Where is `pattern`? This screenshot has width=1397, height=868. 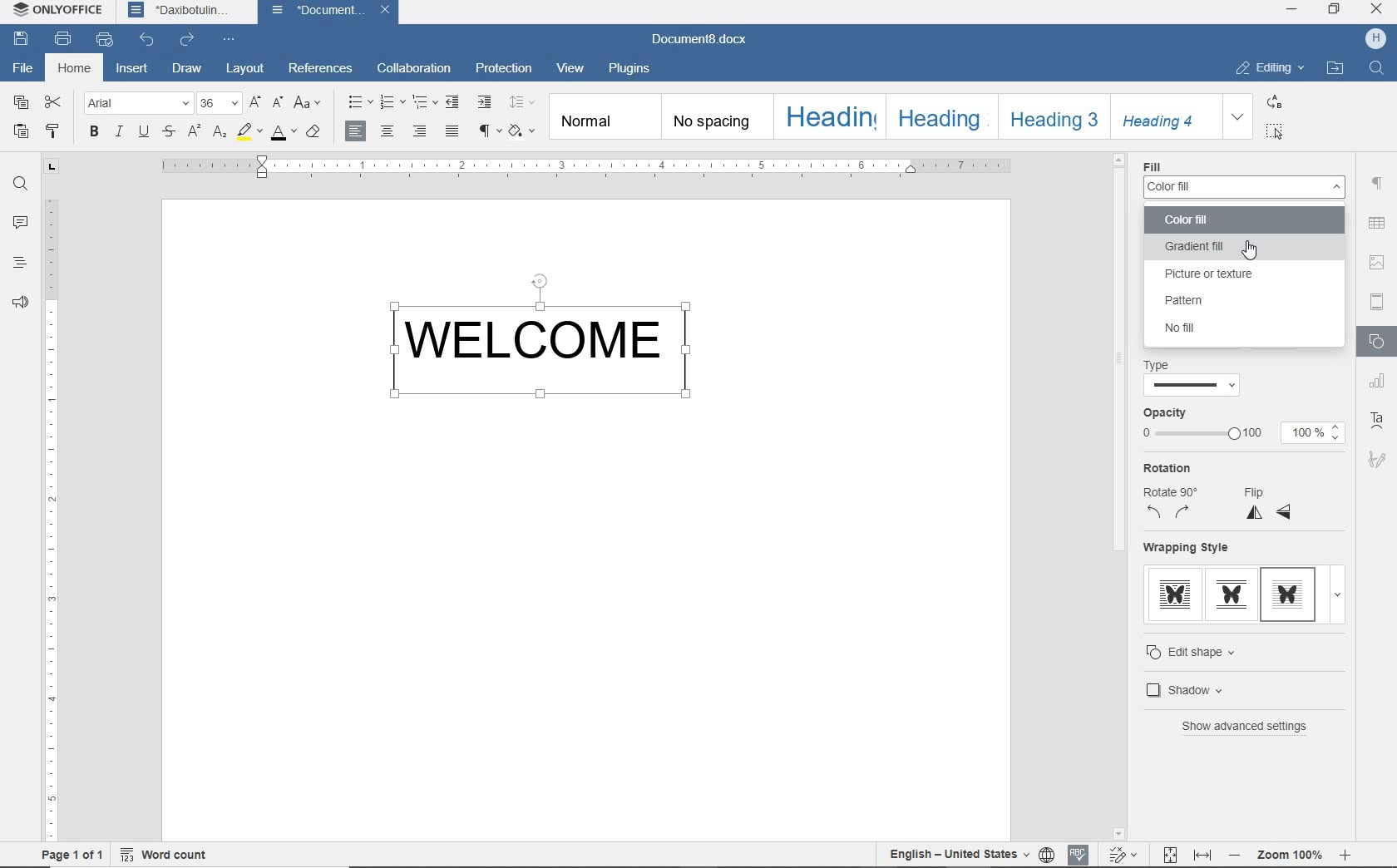 pattern is located at coordinates (1203, 301).